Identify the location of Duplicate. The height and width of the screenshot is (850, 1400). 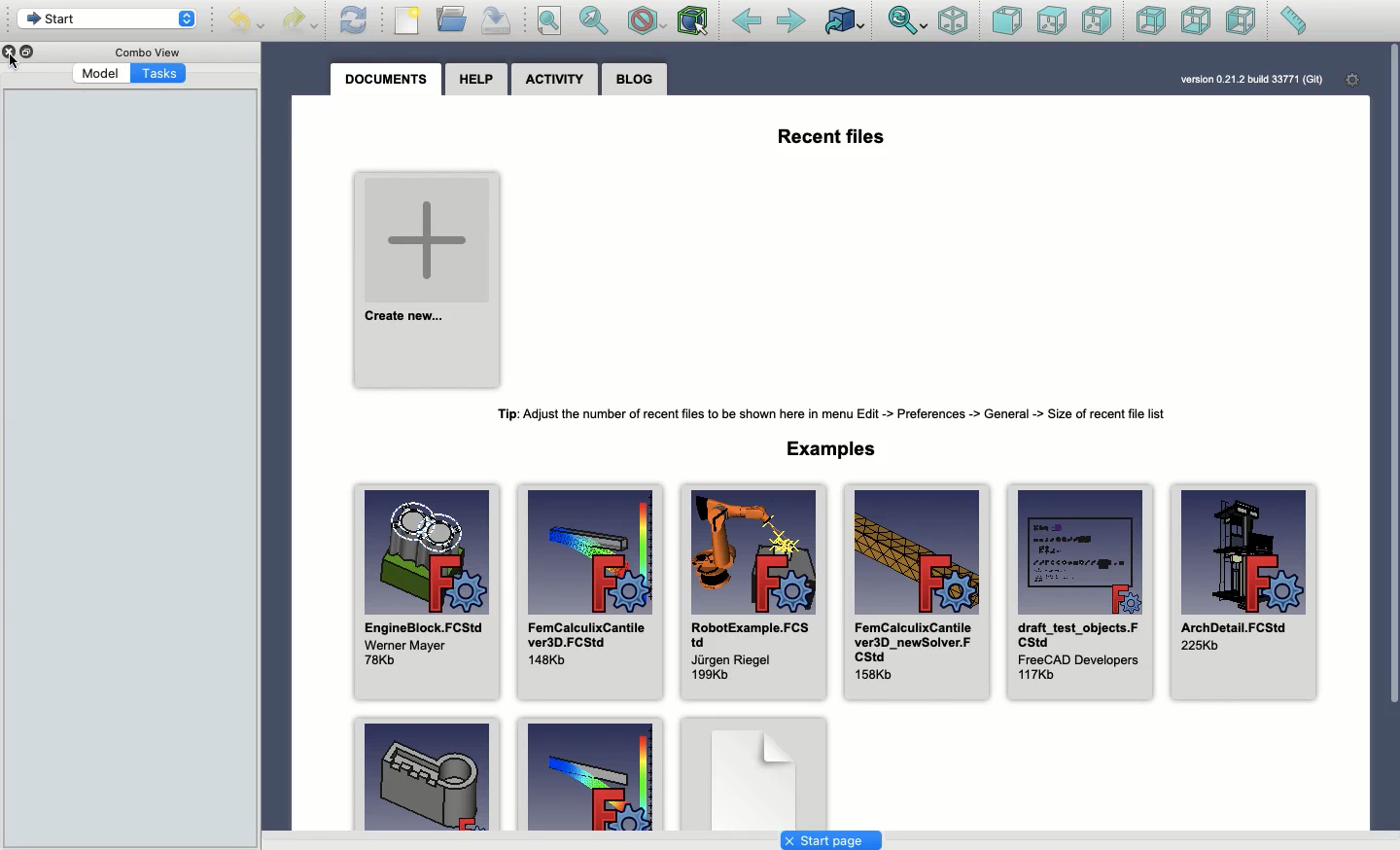
(28, 52).